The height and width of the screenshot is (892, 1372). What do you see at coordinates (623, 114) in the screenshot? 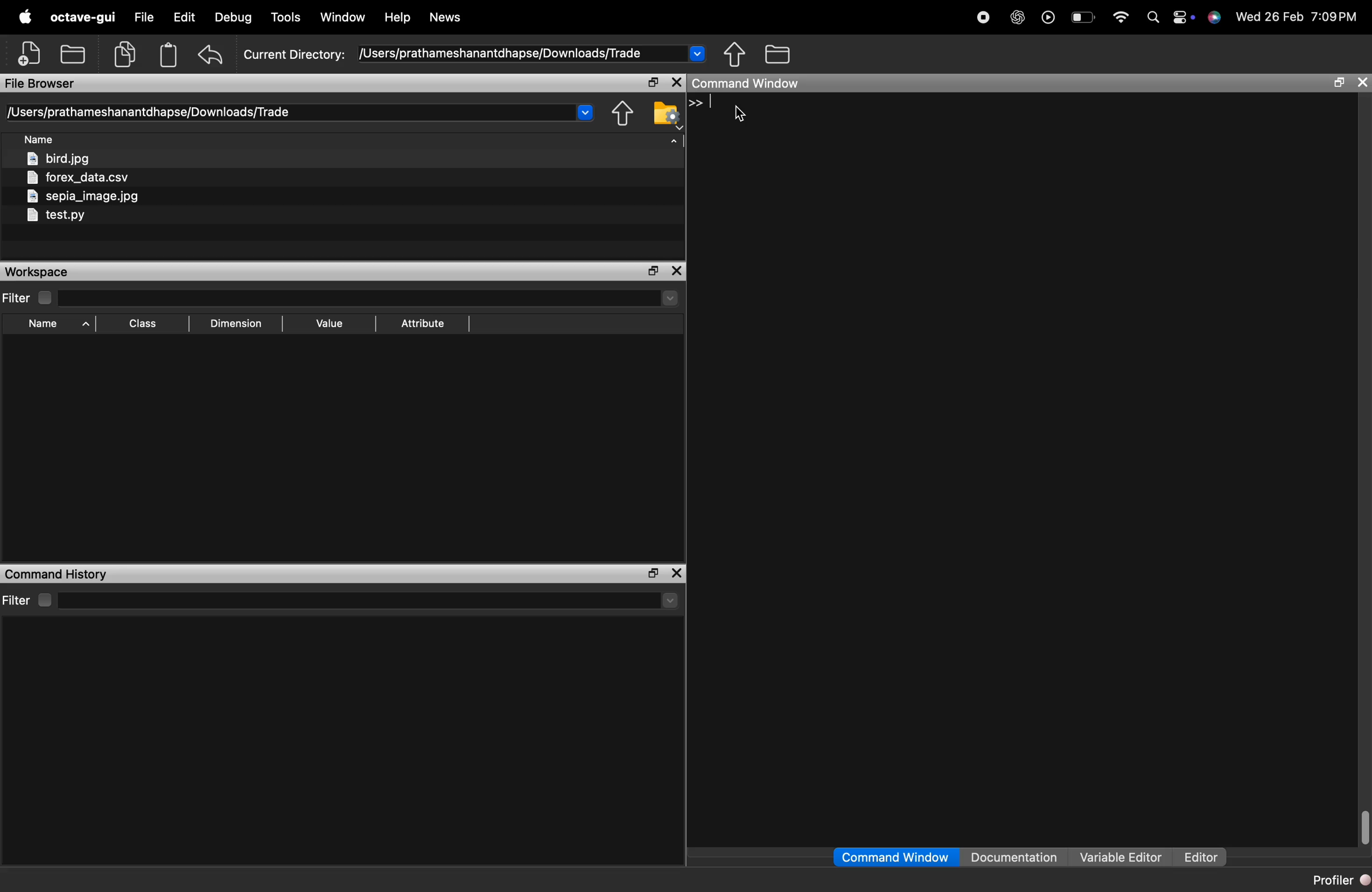
I see `one directory up` at bounding box center [623, 114].